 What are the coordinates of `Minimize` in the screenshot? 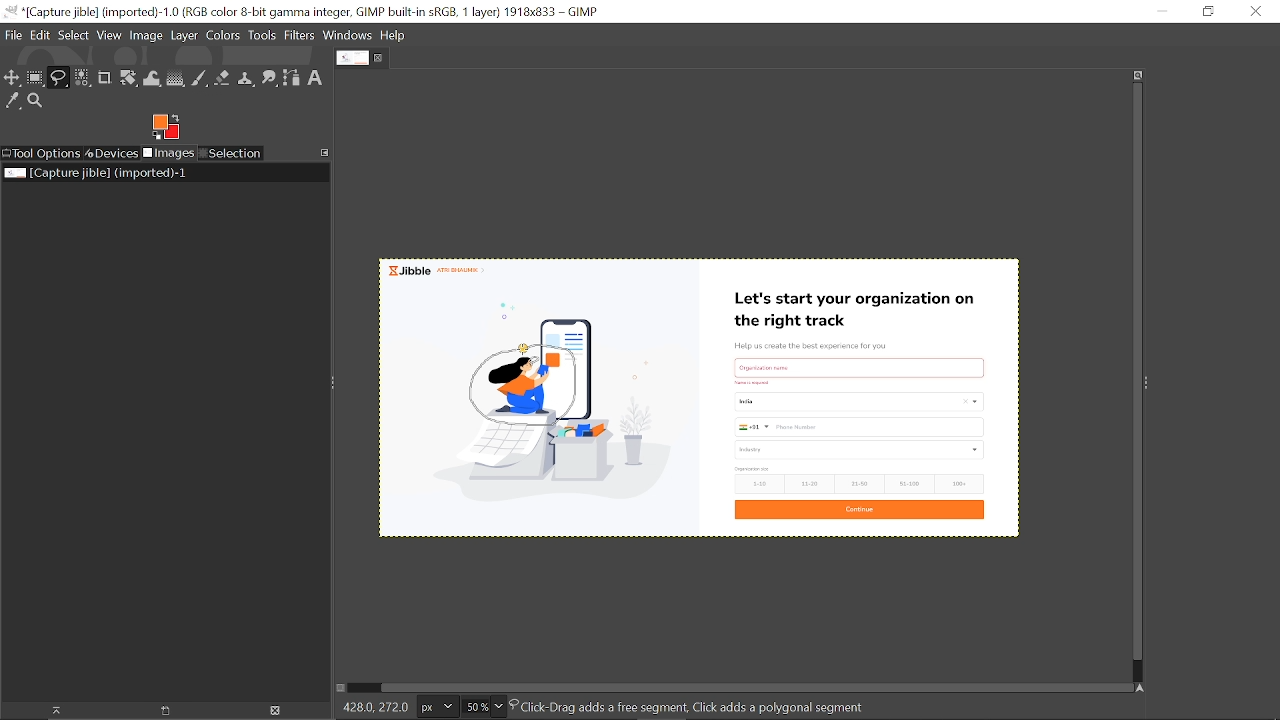 It's located at (1159, 11).